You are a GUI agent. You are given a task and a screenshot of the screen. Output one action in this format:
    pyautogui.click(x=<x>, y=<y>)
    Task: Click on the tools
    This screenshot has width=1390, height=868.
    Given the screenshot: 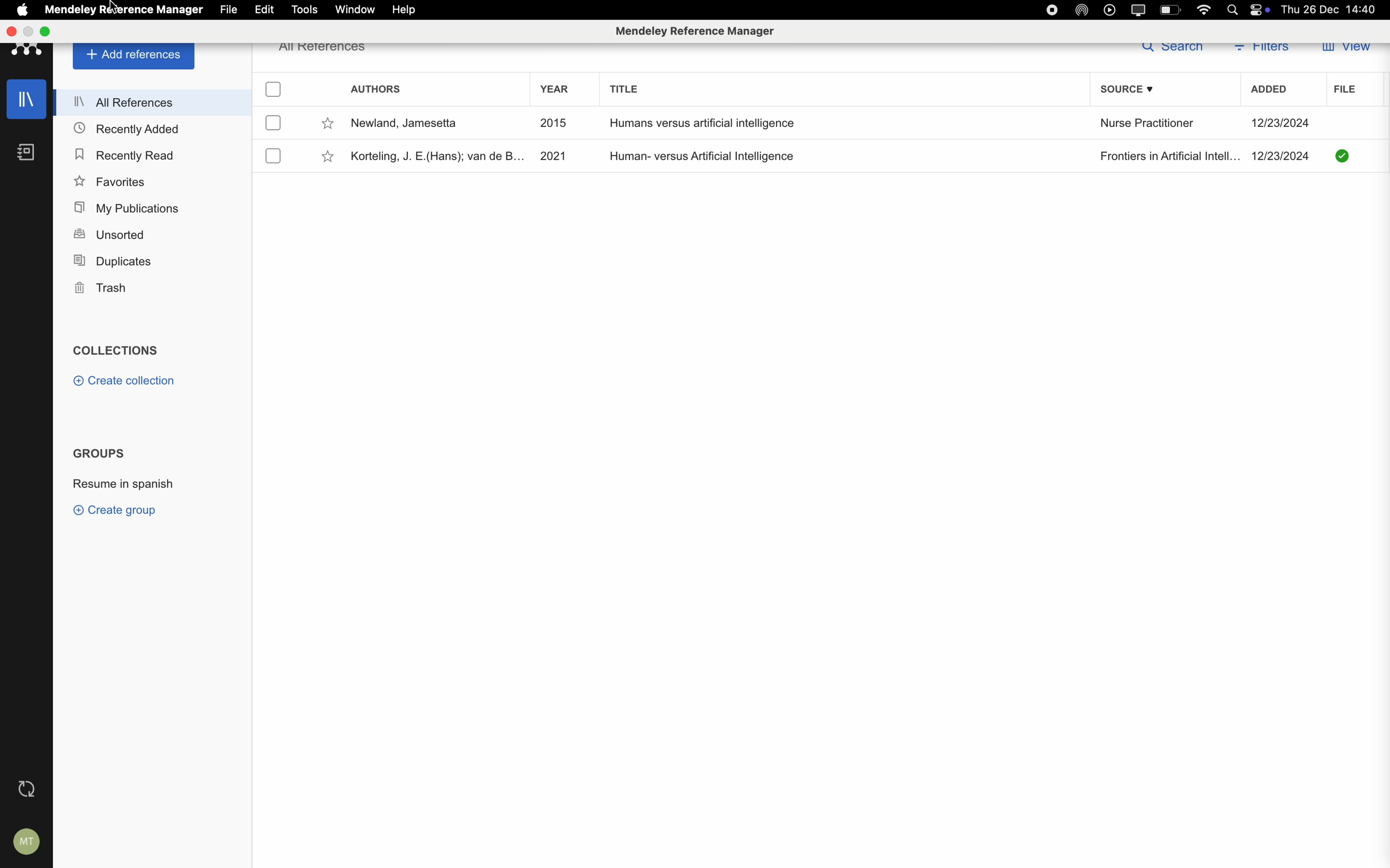 What is the action you would take?
    pyautogui.click(x=303, y=9)
    